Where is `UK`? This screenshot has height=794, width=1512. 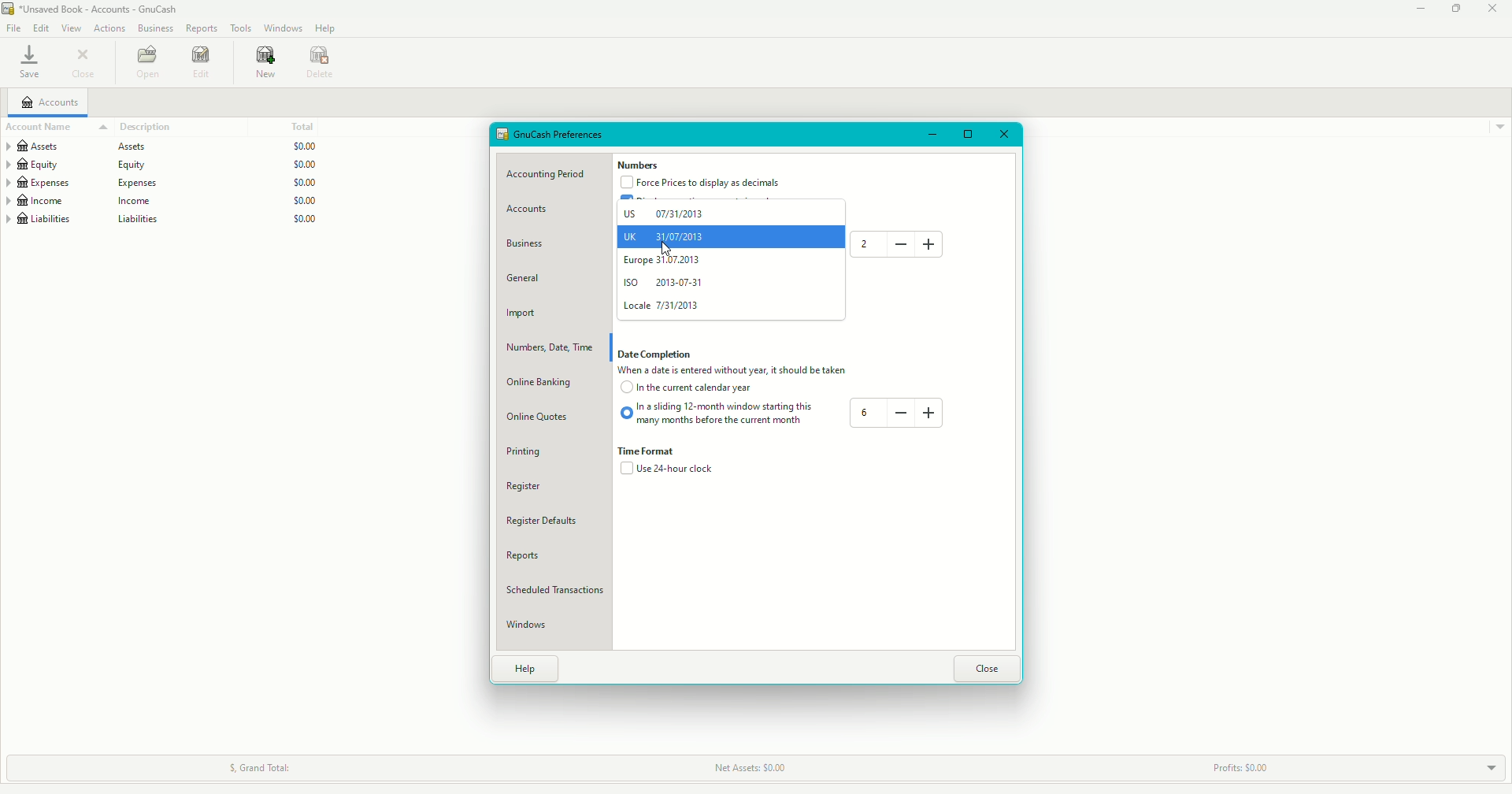
UK is located at coordinates (665, 235).